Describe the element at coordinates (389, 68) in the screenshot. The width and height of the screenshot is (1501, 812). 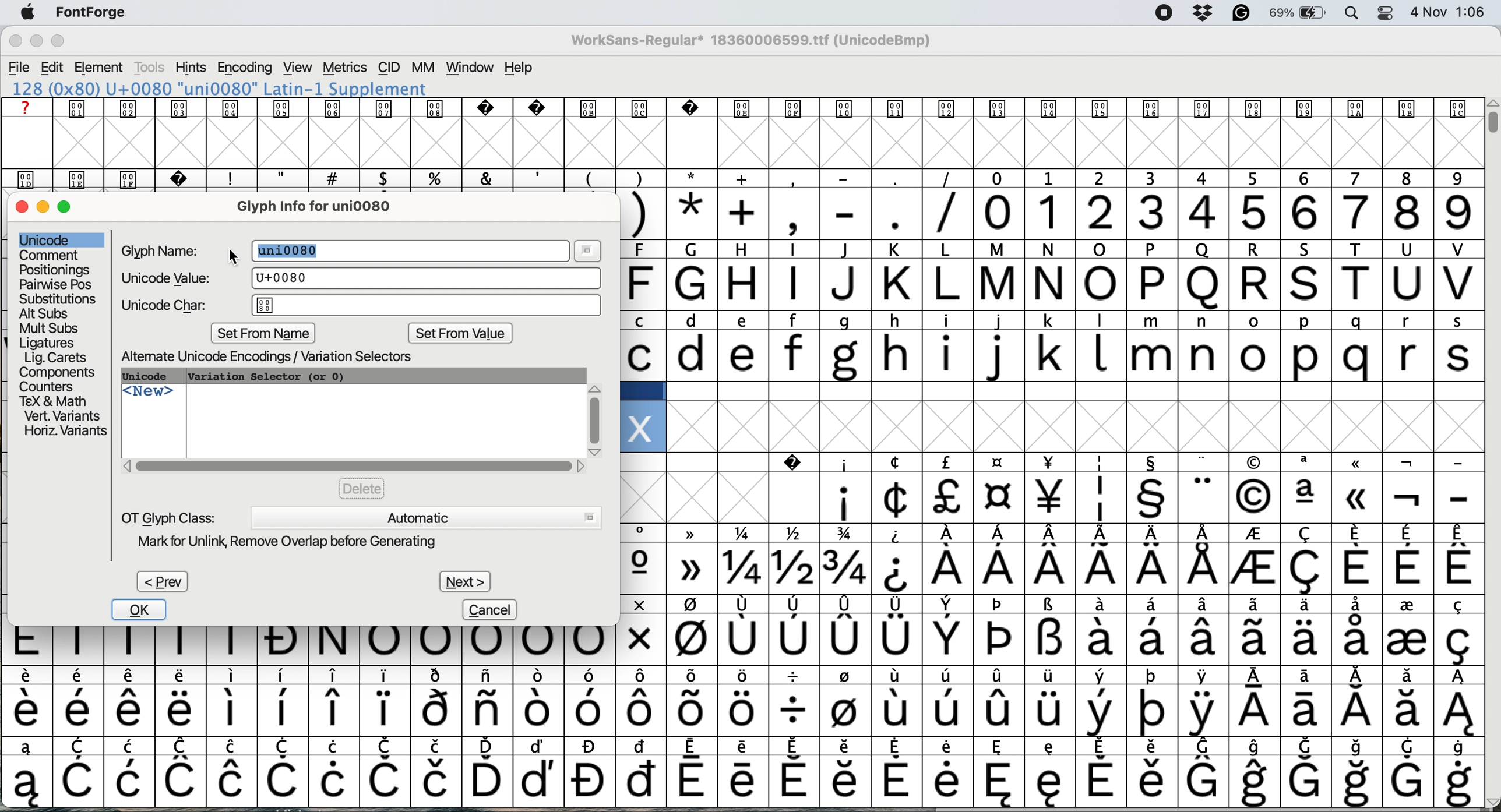
I see `cid` at that location.